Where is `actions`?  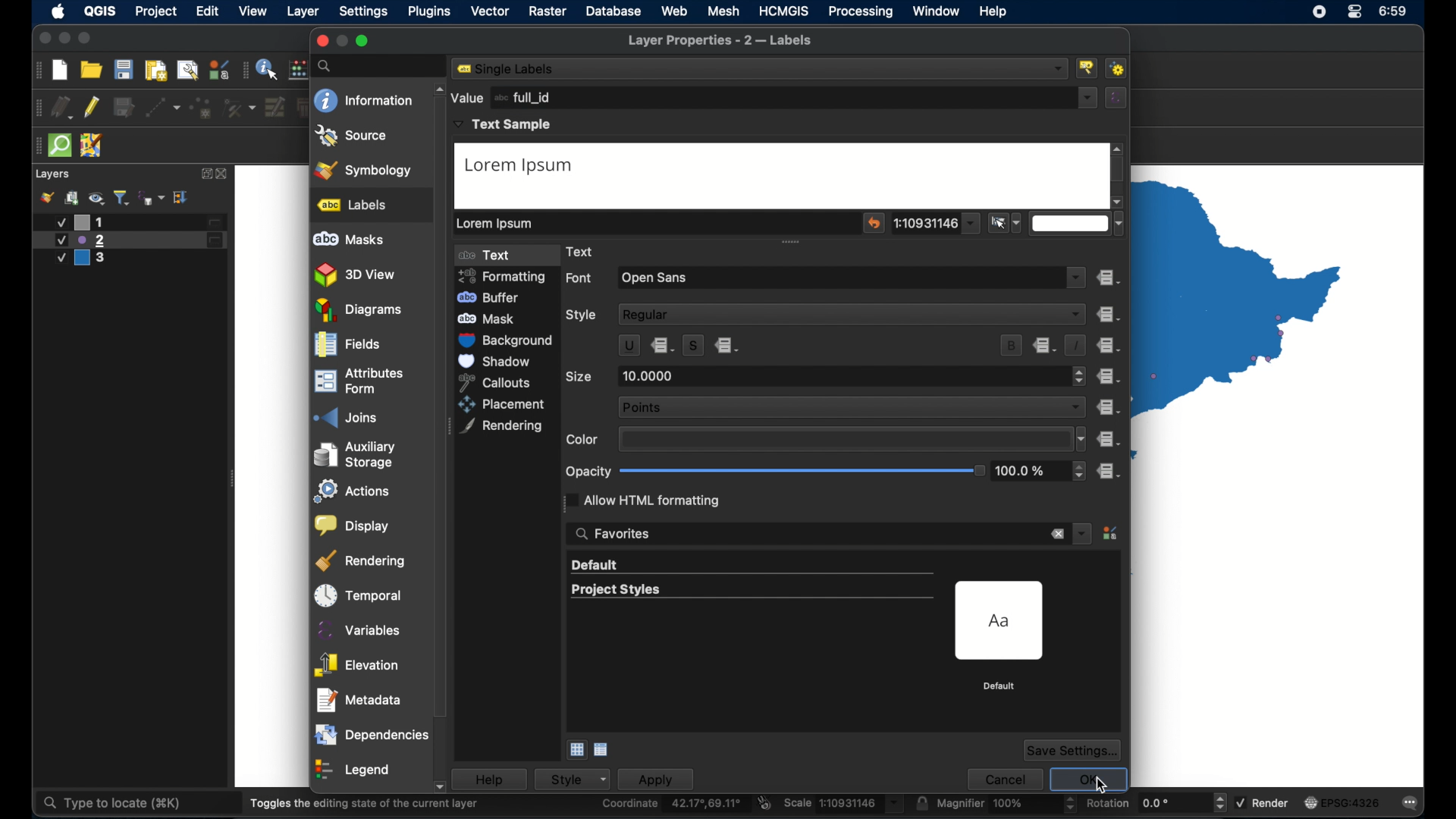 actions is located at coordinates (354, 488).